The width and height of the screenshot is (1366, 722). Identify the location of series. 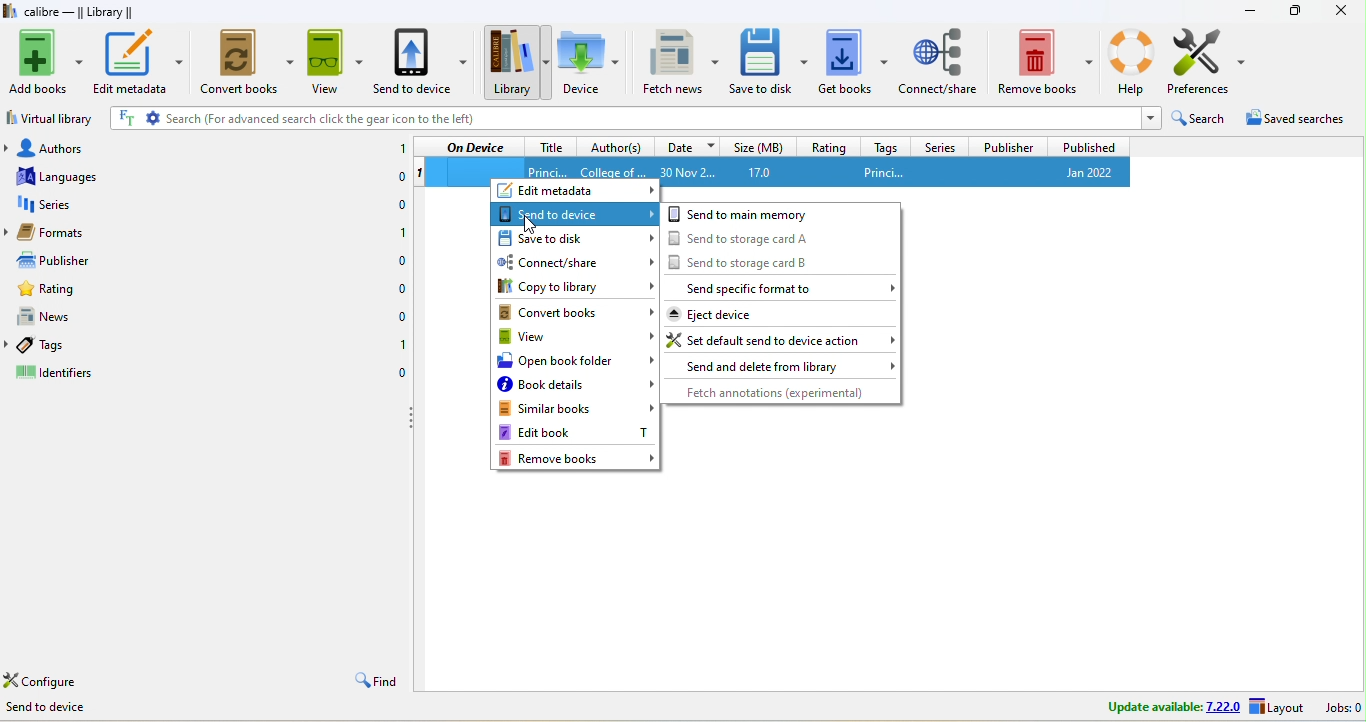
(58, 204).